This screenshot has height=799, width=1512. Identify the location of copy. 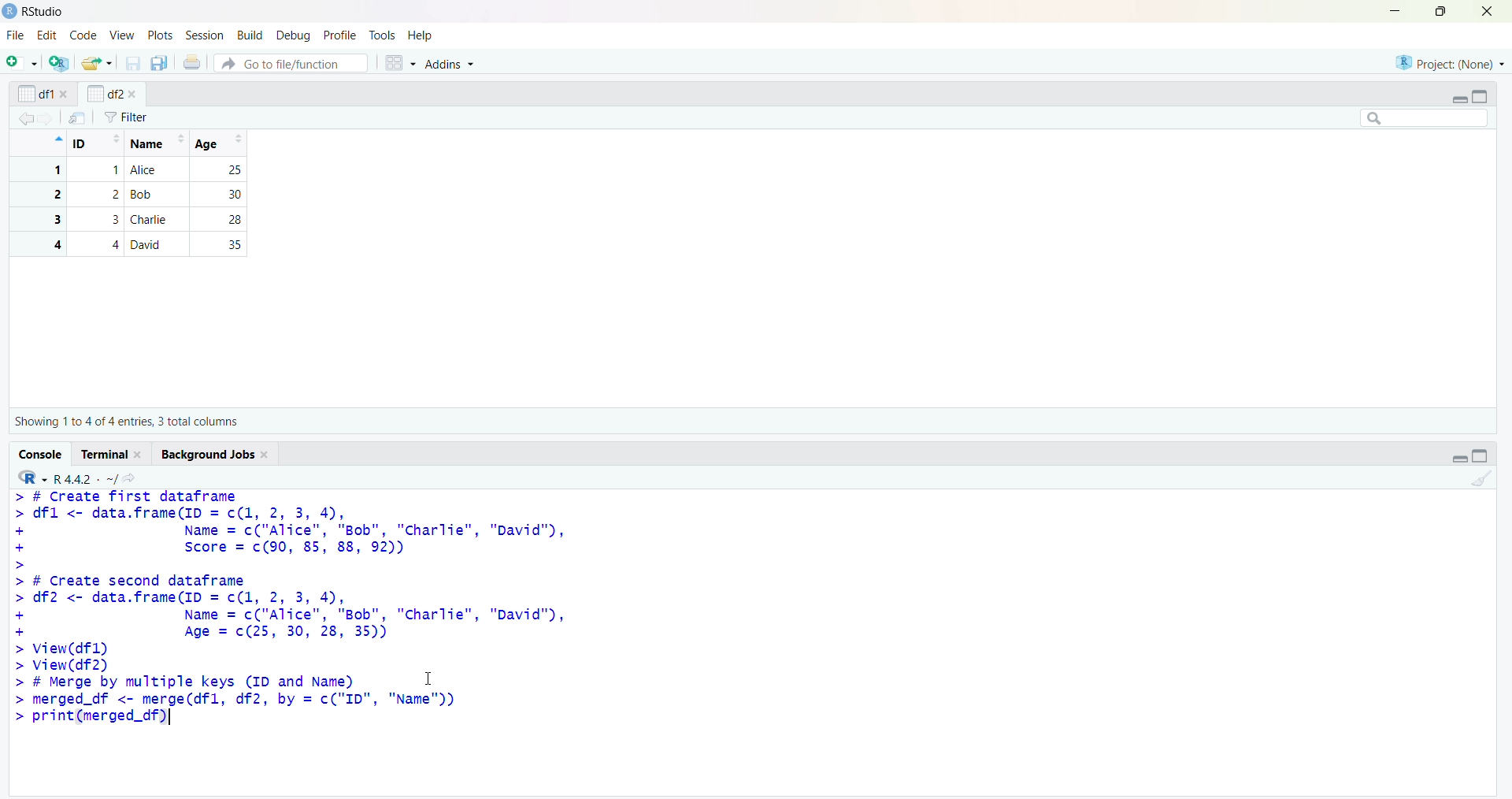
(159, 63).